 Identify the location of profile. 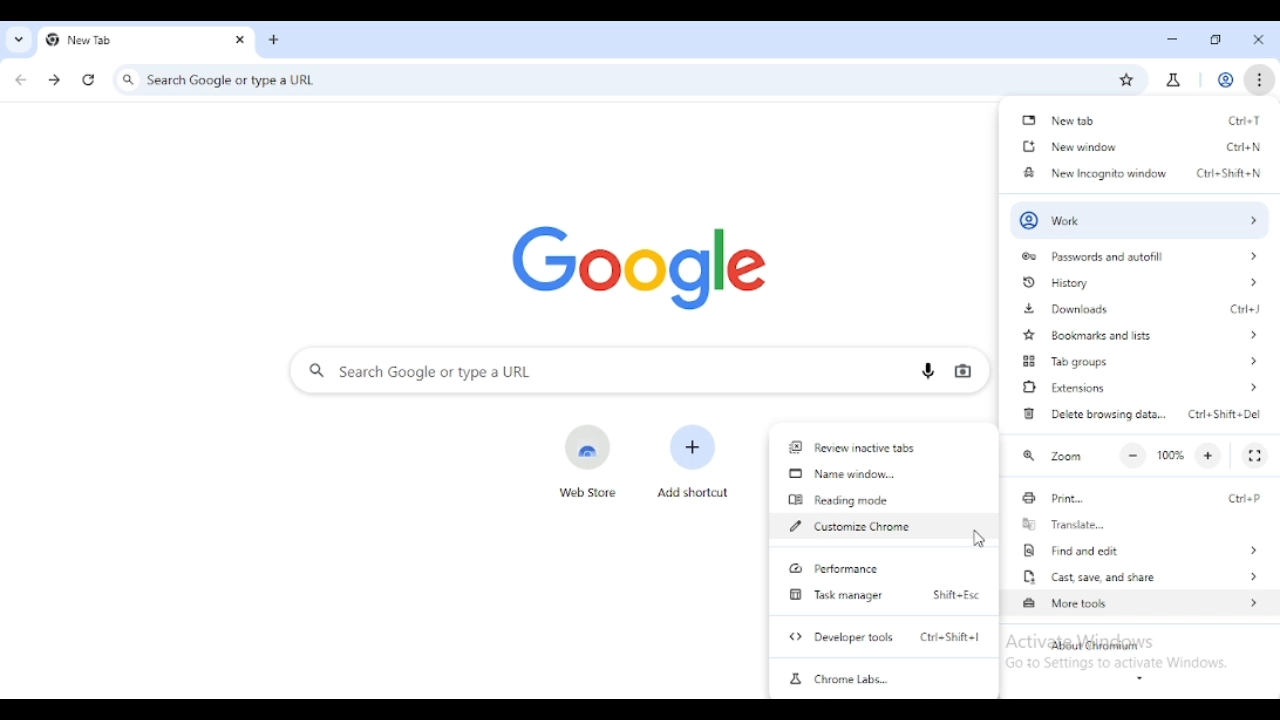
(1226, 80).